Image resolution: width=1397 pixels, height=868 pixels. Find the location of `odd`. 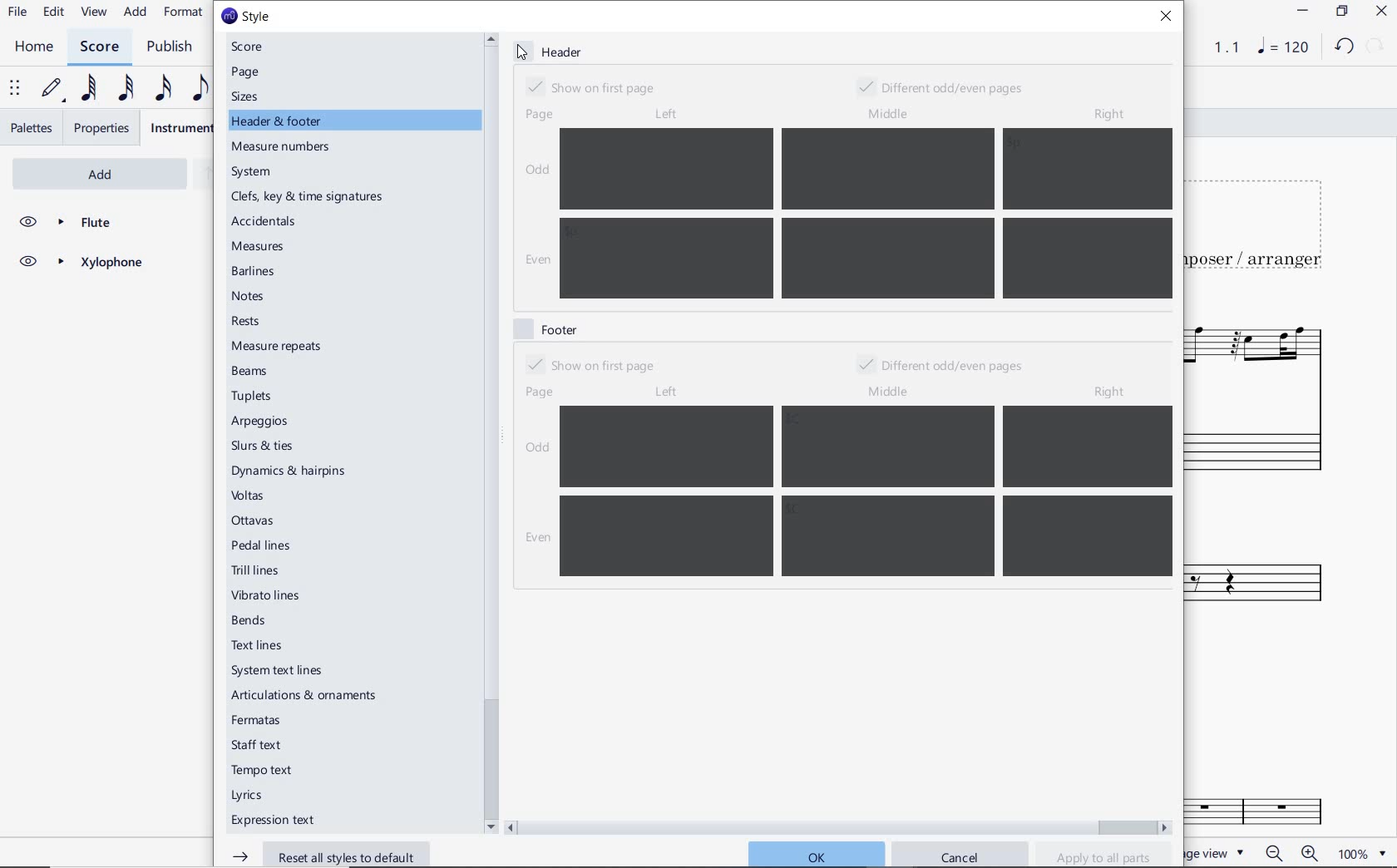

odd is located at coordinates (537, 169).